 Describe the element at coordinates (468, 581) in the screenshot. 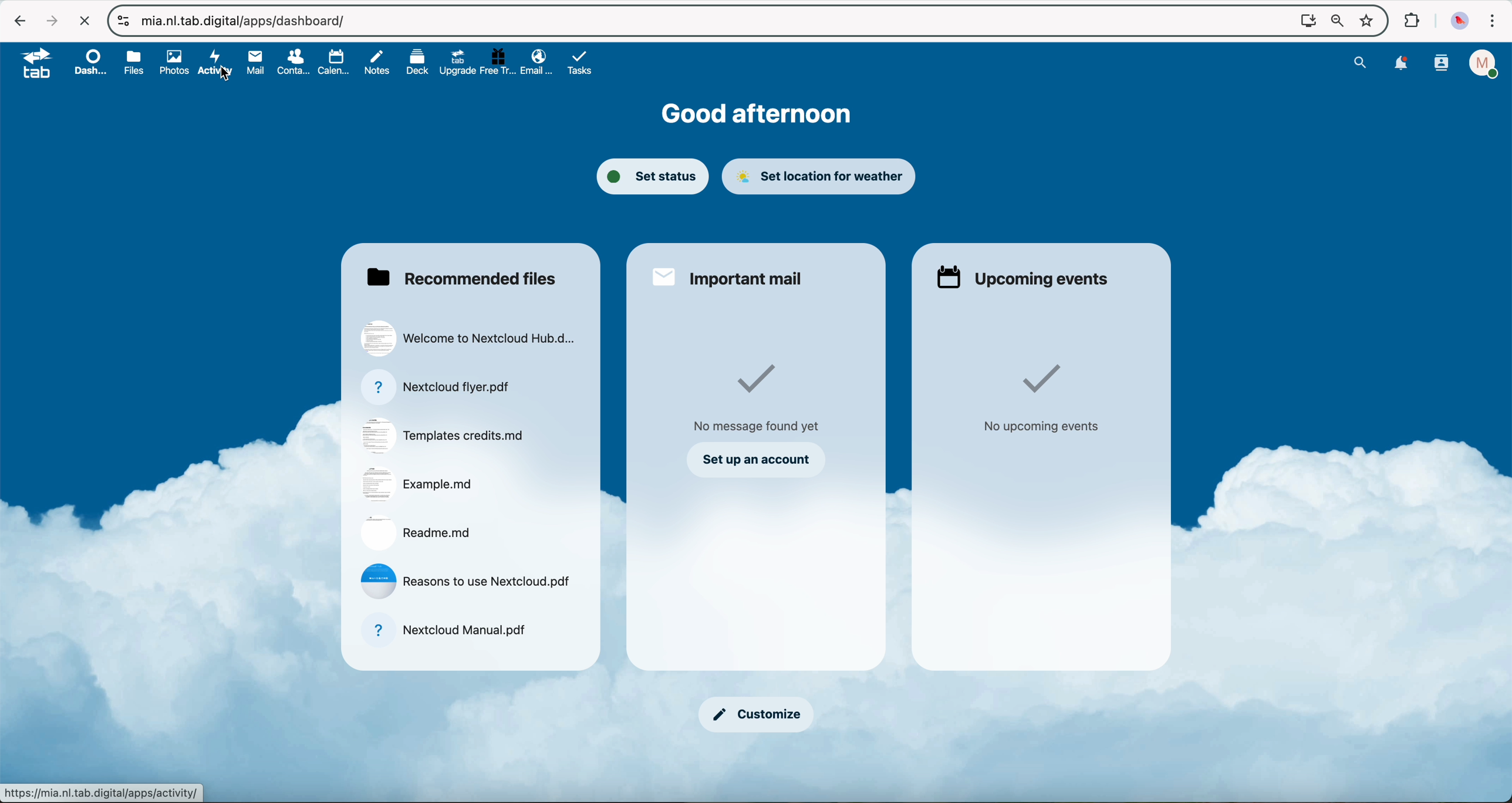

I see `file` at that location.